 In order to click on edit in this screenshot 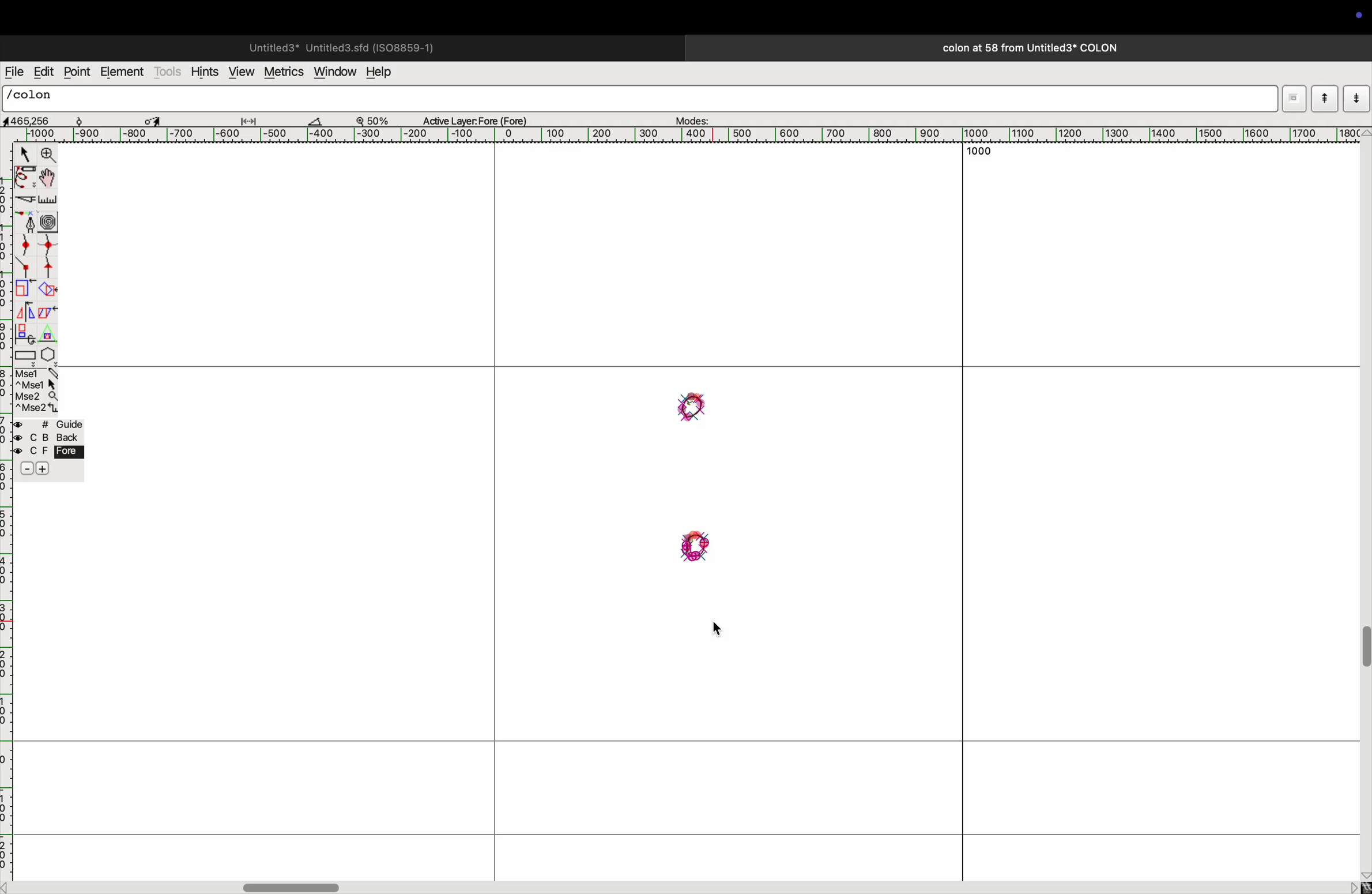, I will do `click(43, 72)`.